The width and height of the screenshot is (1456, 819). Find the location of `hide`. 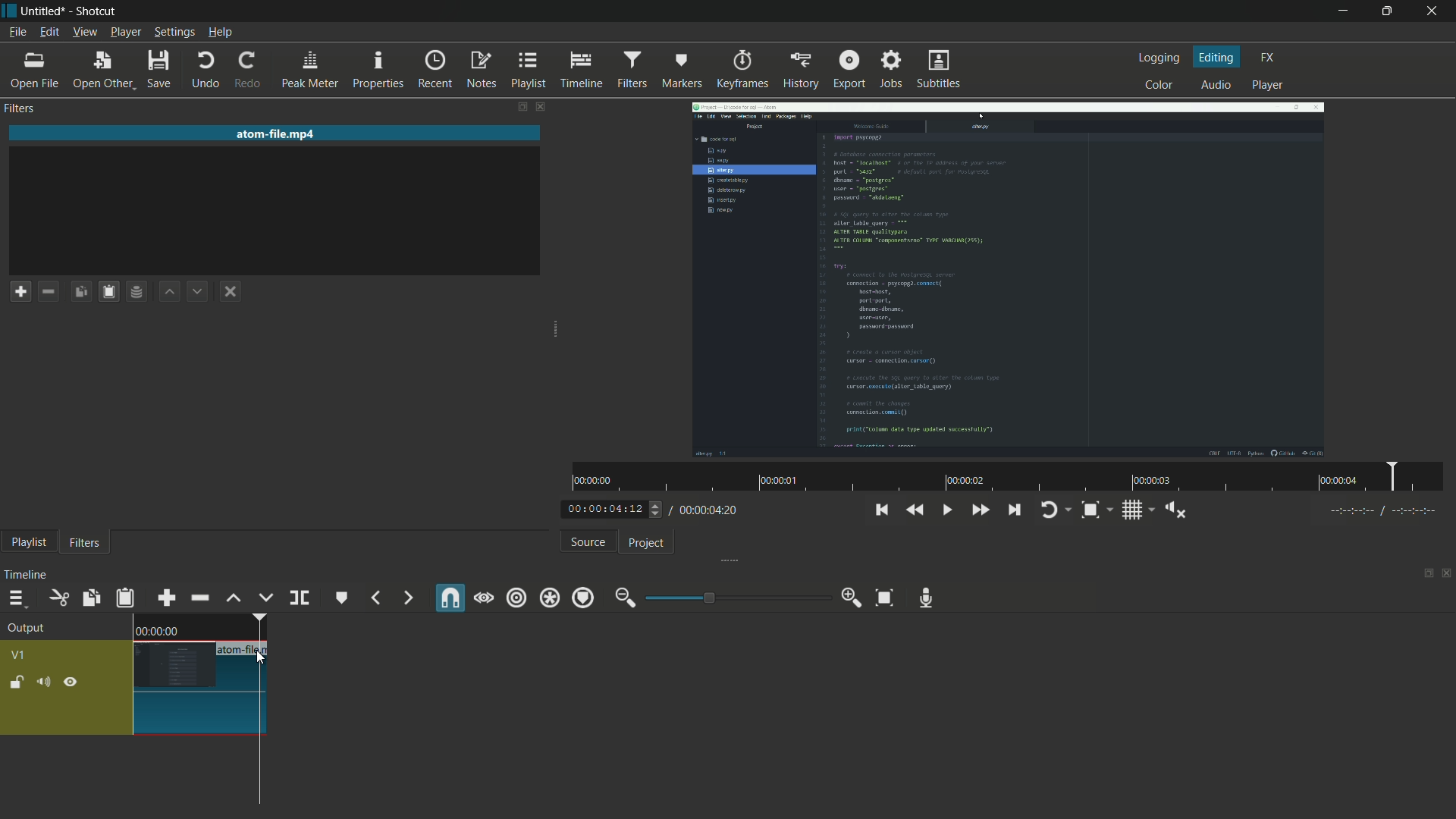

hide is located at coordinates (72, 681).